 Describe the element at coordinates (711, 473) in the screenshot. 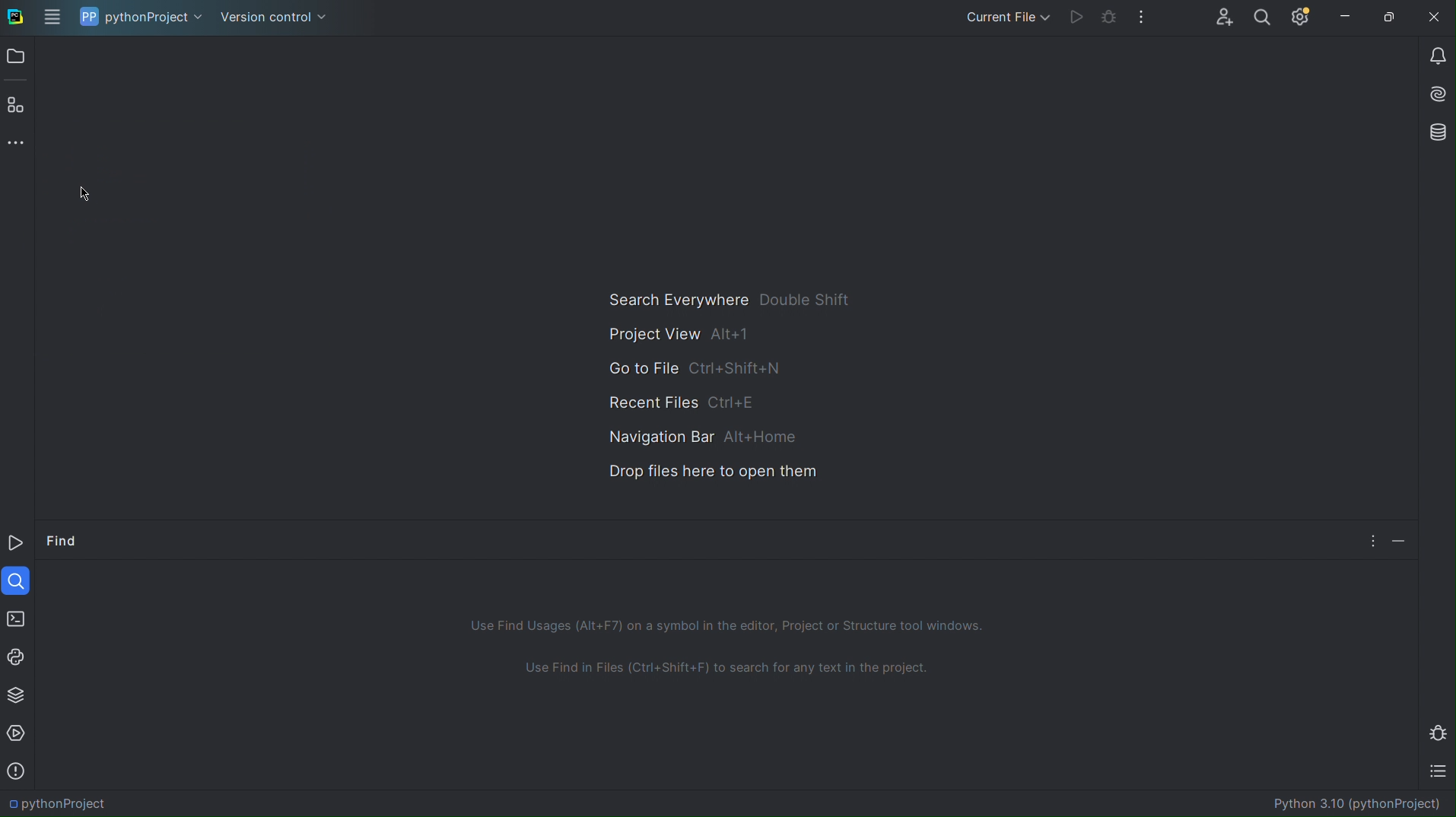

I see `Drop files here to open them` at that location.